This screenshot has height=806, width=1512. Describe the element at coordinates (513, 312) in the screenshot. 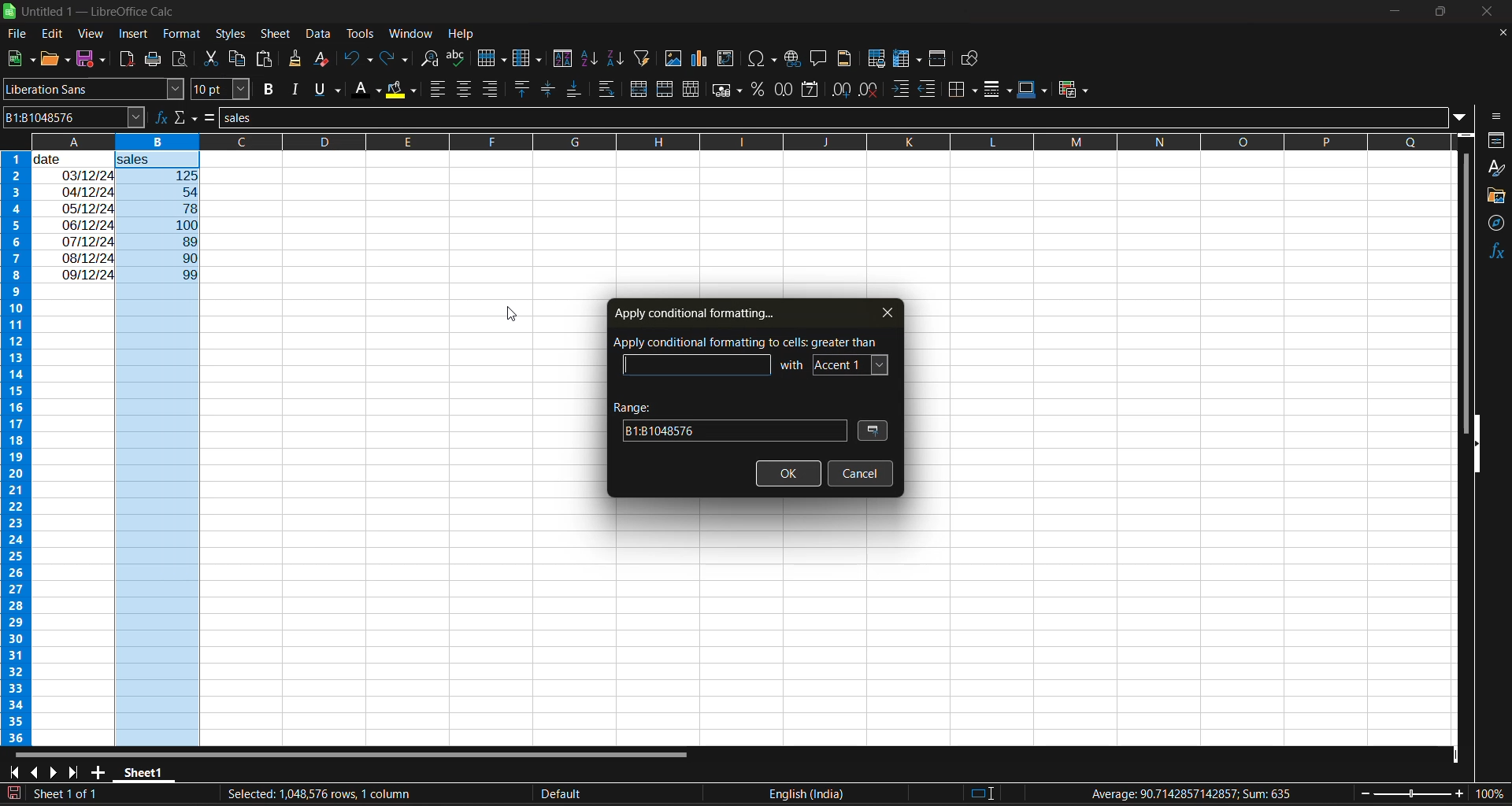

I see `cursor` at that location.